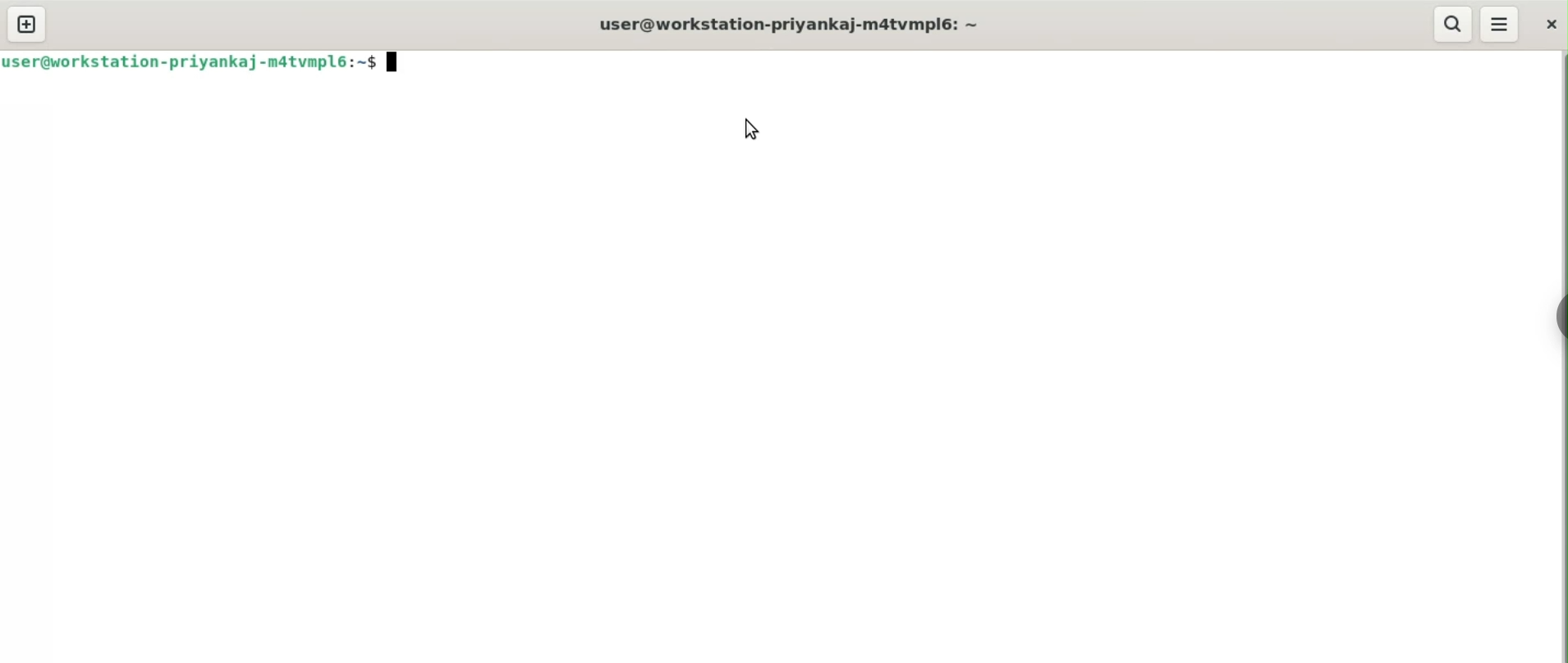  What do you see at coordinates (1554, 21) in the screenshot?
I see `close` at bounding box center [1554, 21].